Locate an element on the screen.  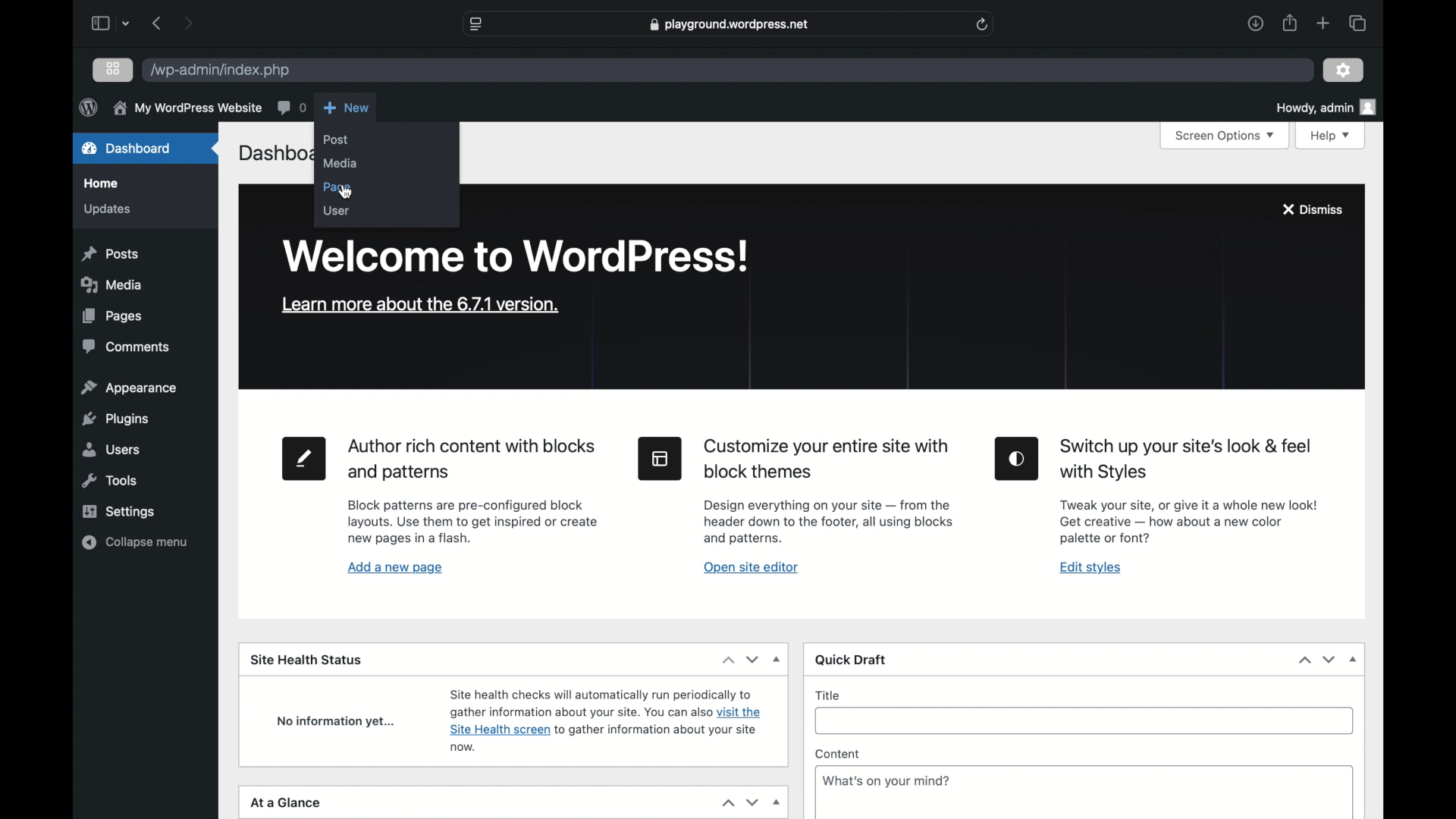
edit styles is located at coordinates (1015, 459).